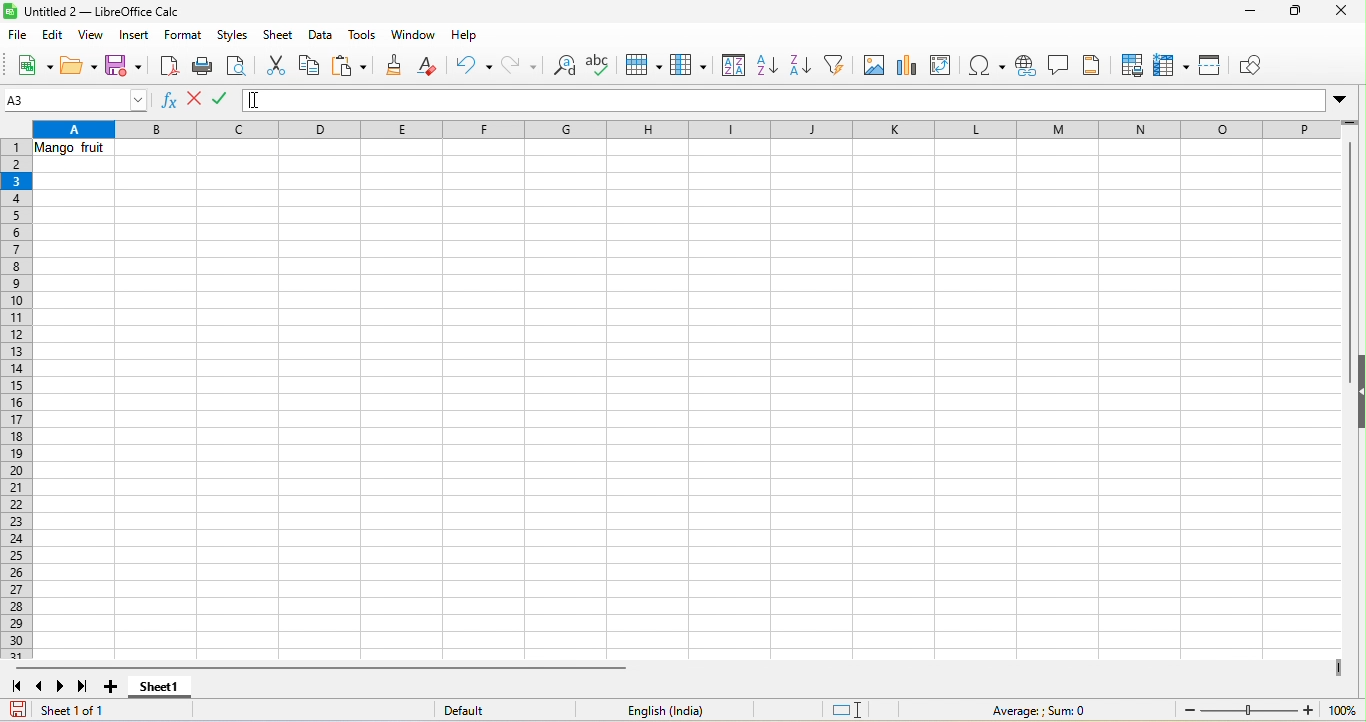 The height and width of the screenshot is (722, 1366). I want to click on scroll to last sheet, so click(84, 687).